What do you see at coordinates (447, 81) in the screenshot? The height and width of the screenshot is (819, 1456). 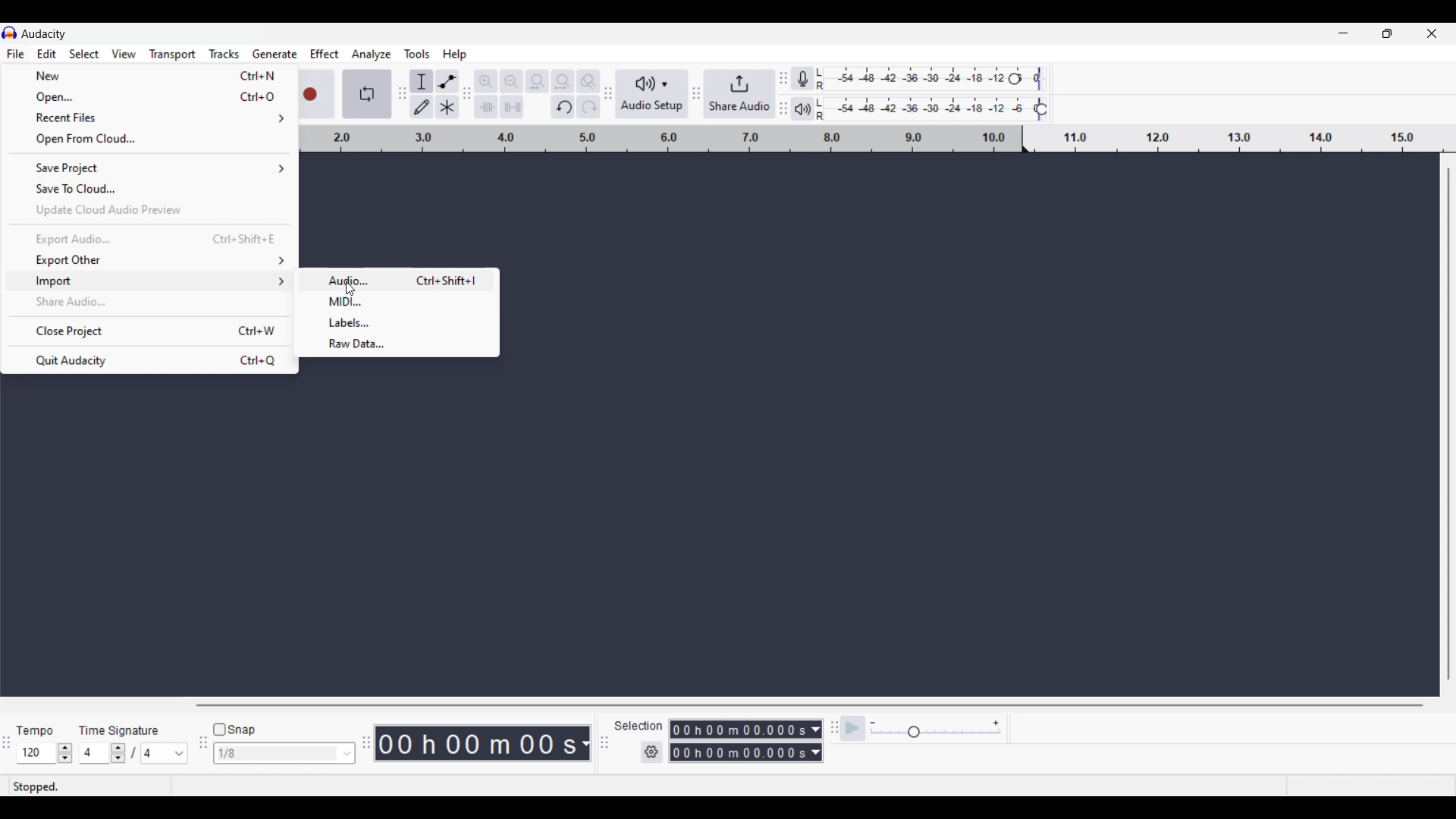 I see `Envelop tool` at bounding box center [447, 81].